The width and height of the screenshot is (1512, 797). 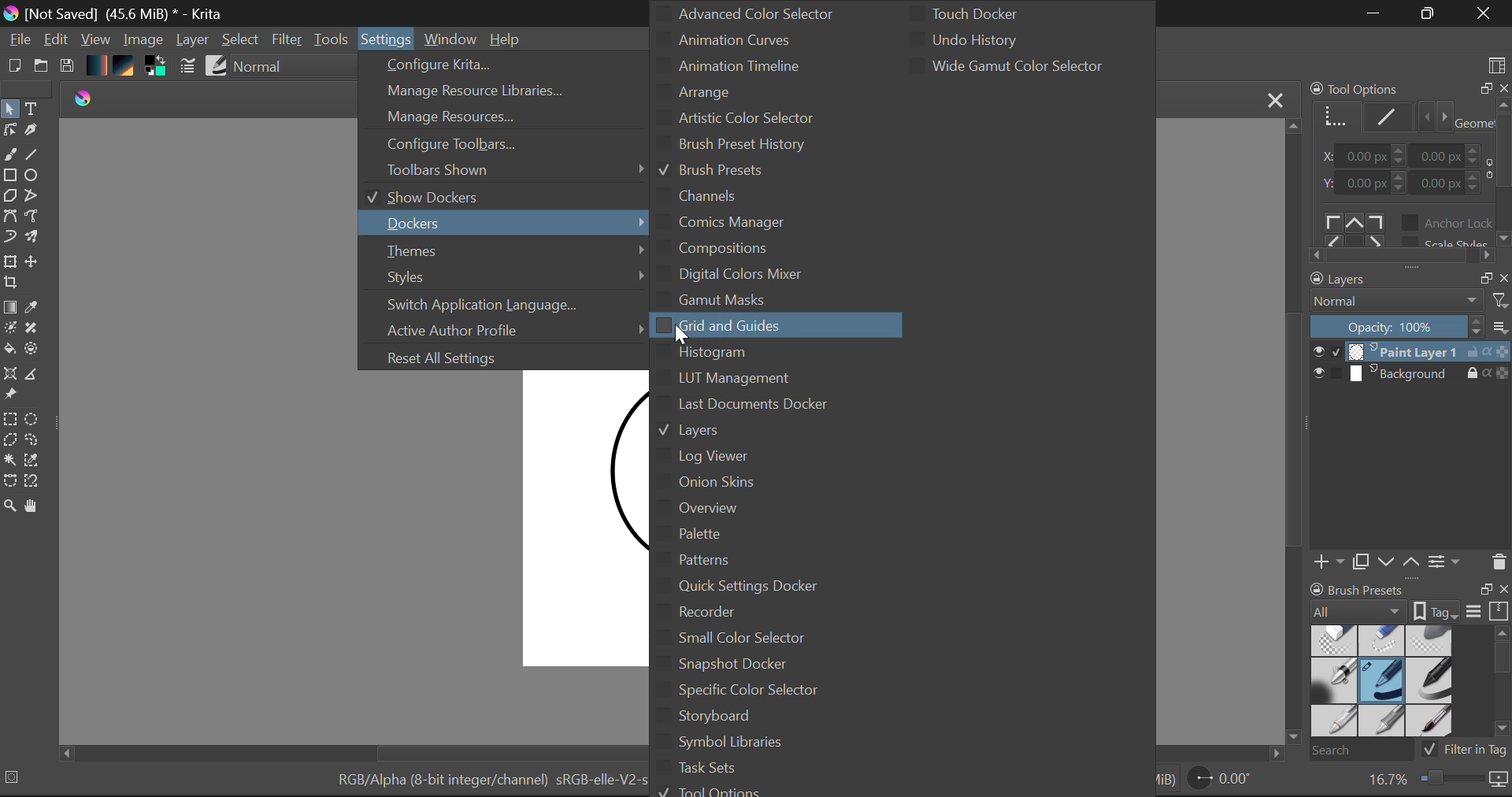 I want to click on Gradient Fill, so click(x=10, y=306).